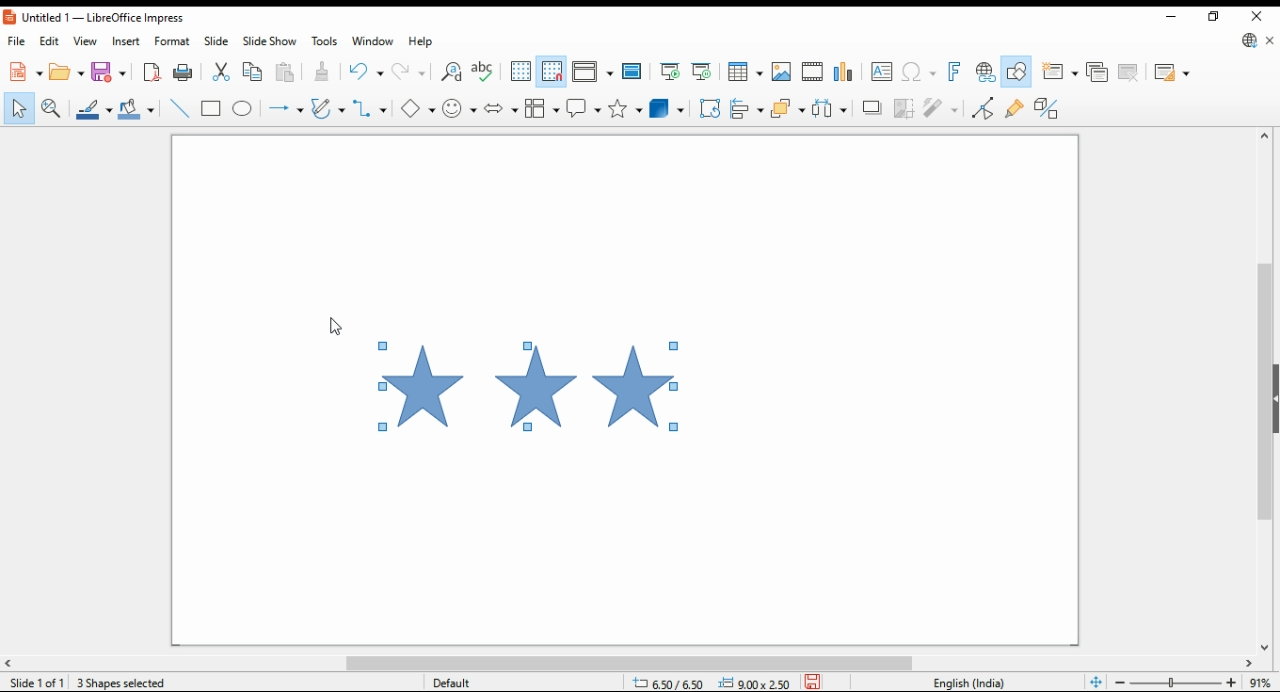  What do you see at coordinates (179, 109) in the screenshot?
I see `insert line` at bounding box center [179, 109].